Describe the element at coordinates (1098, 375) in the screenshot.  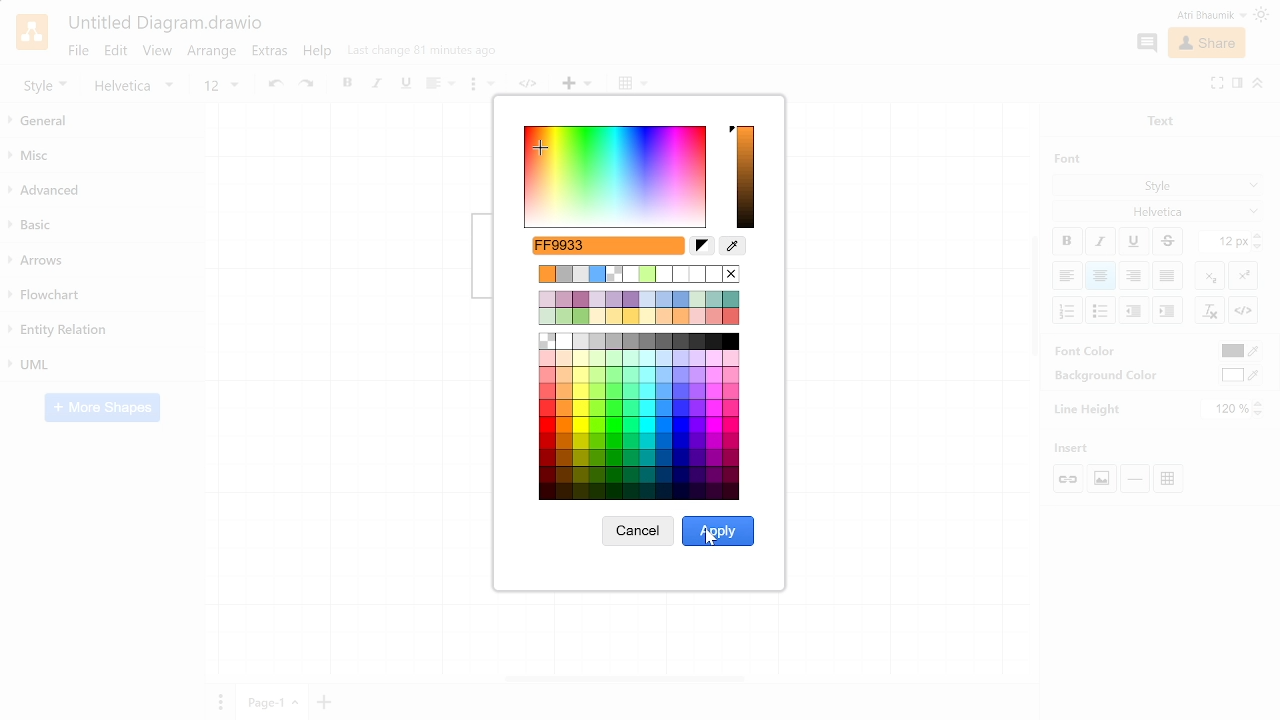
I see `background color` at that location.